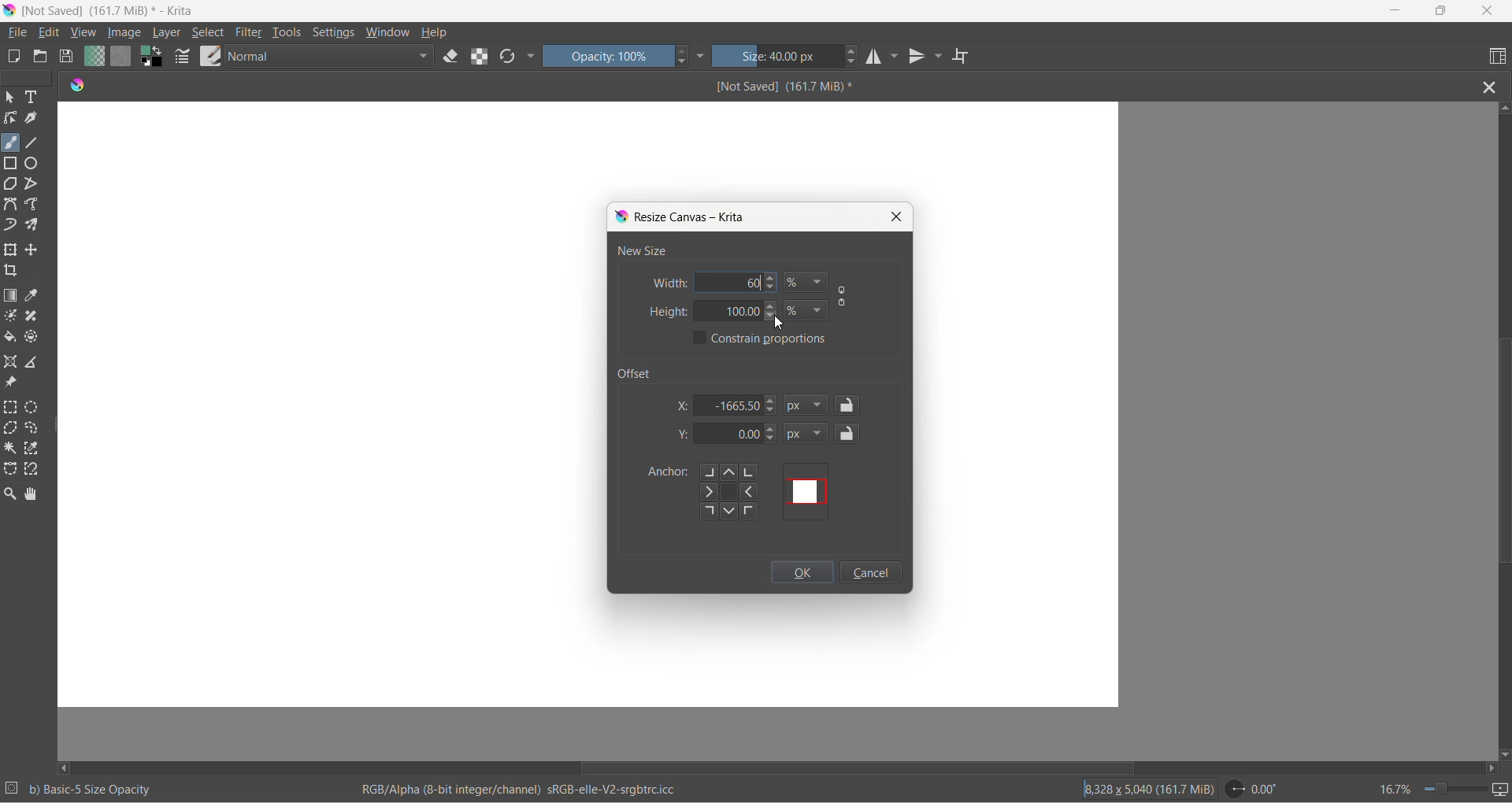 This screenshot has height=803, width=1512. What do you see at coordinates (32, 185) in the screenshot?
I see `polyline tool` at bounding box center [32, 185].